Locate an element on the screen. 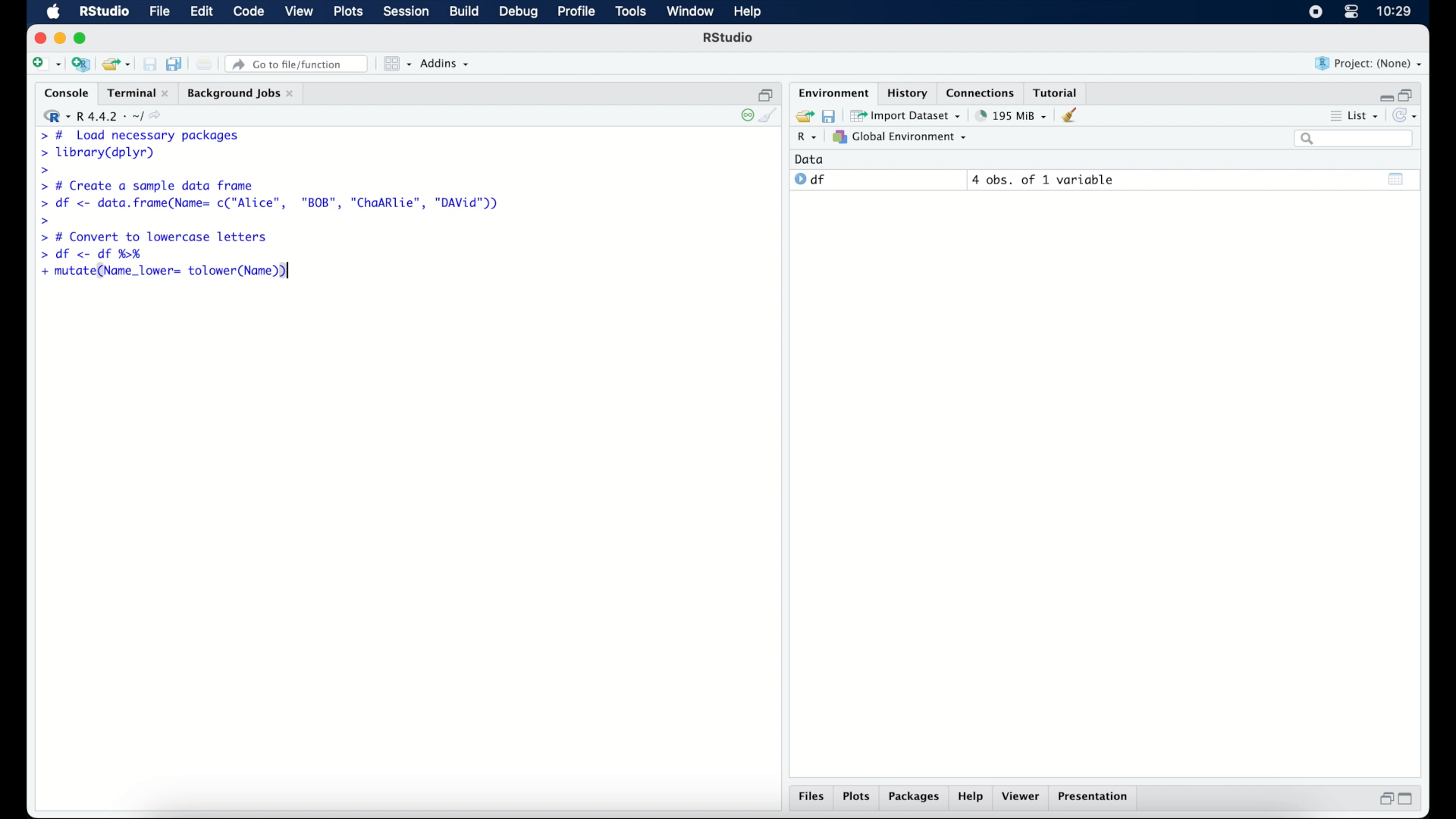 Image resolution: width=1456 pixels, height=819 pixels. restore down is located at coordinates (1409, 93).